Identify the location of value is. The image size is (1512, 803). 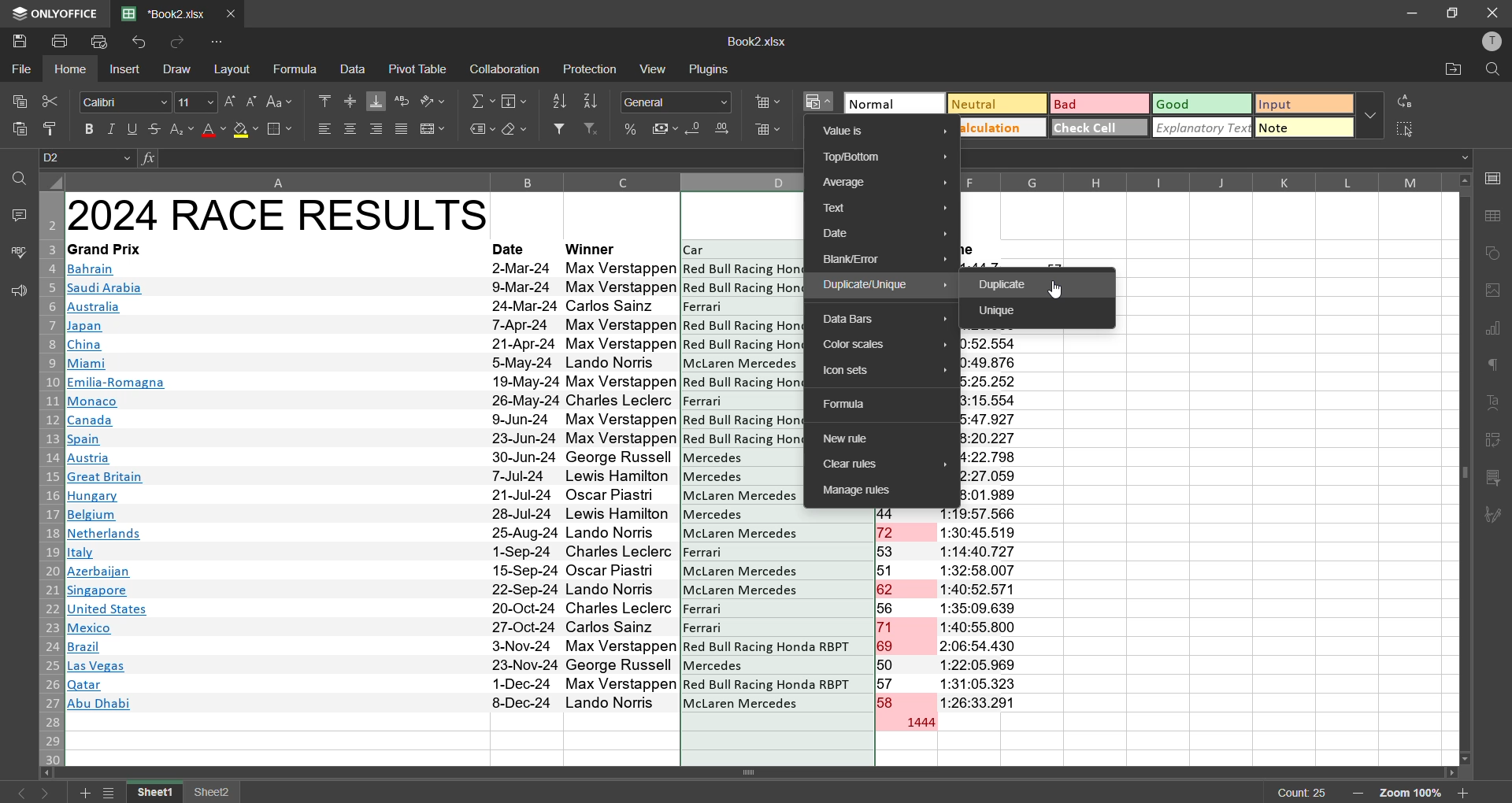
(884, 132).